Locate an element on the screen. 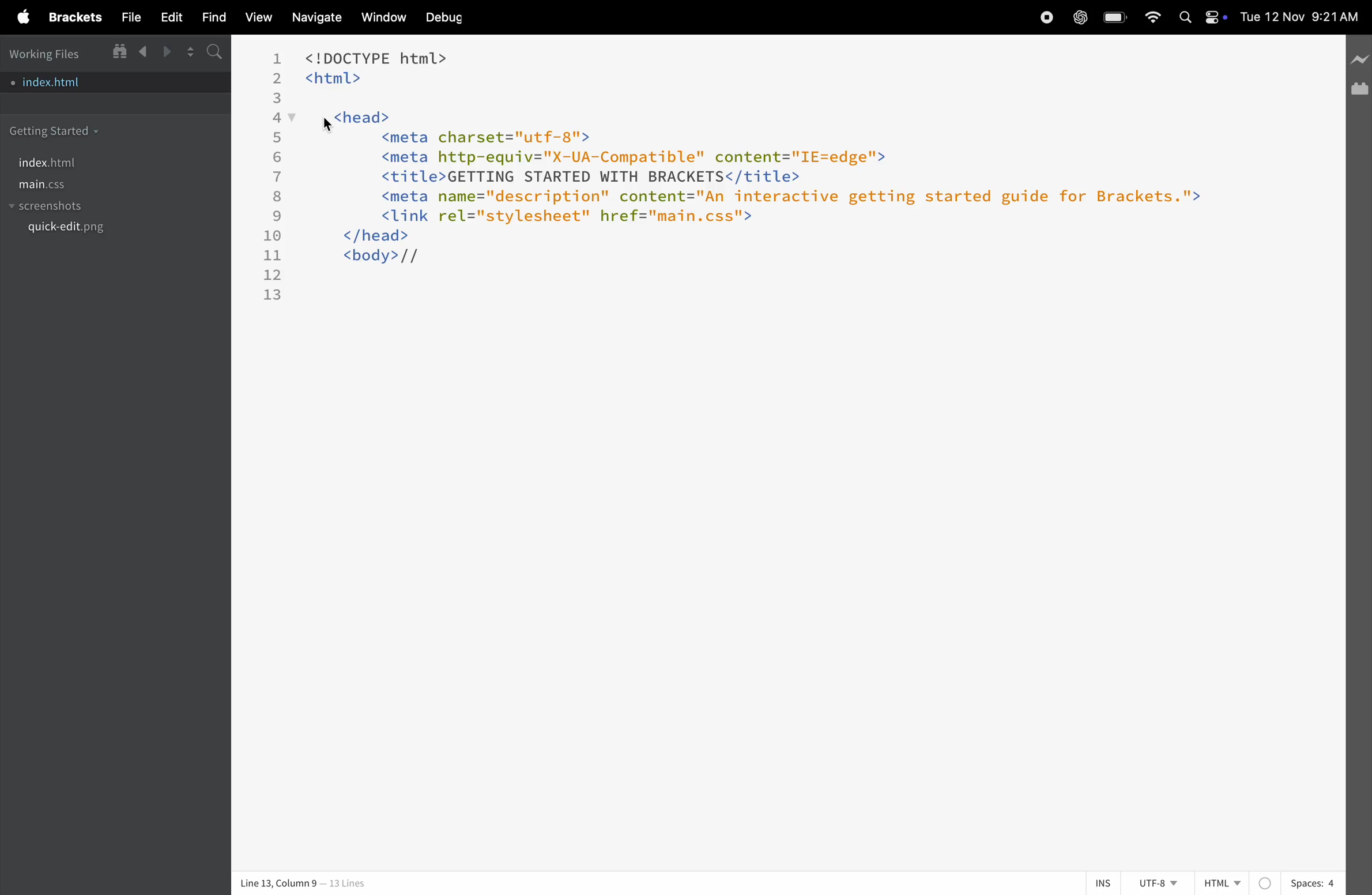 The height and width of the screenshot is (895, 1372). record is located at coordinates (1045, 17).